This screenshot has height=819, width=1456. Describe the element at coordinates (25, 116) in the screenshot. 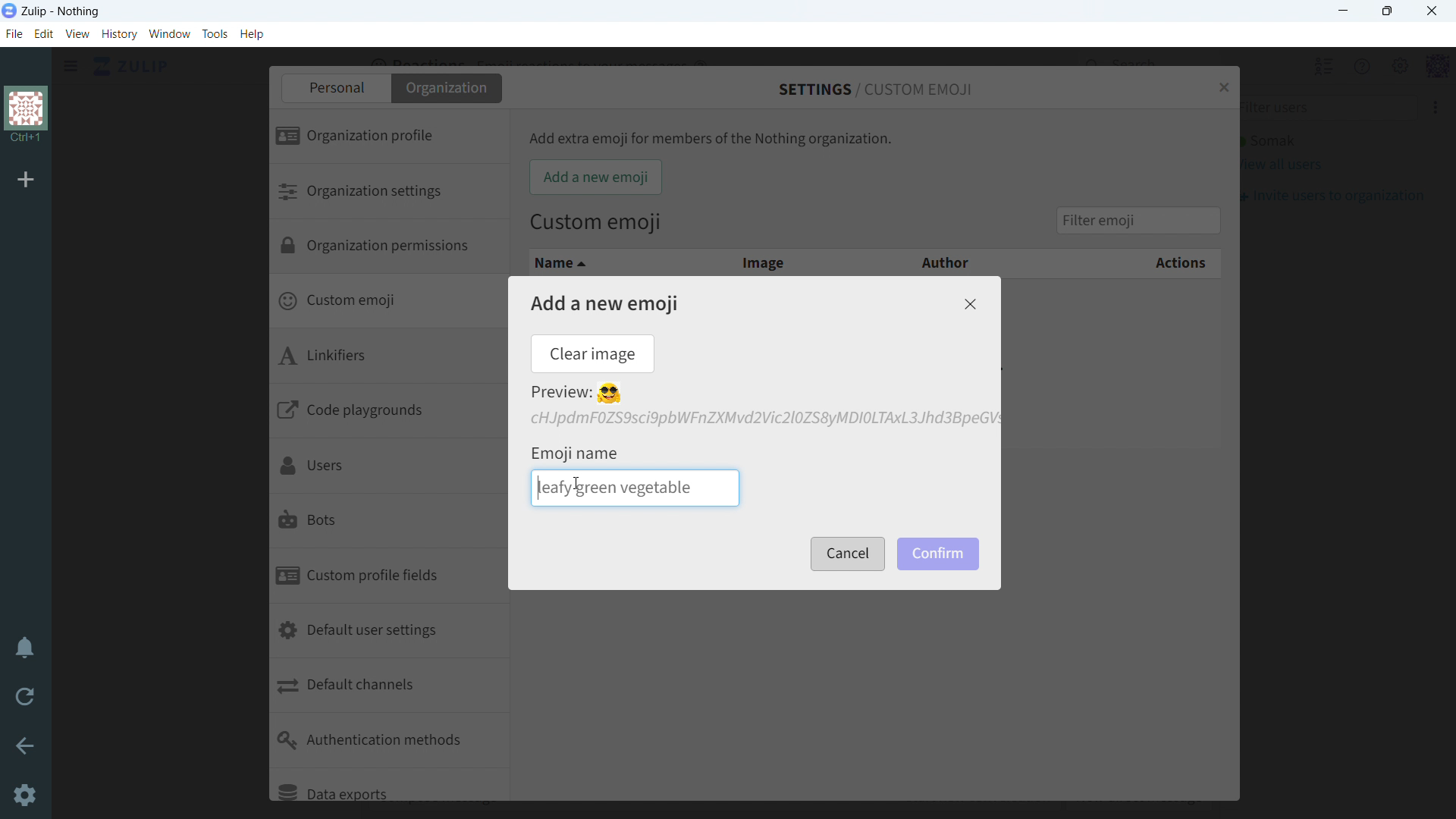

I see `organization` at that location.